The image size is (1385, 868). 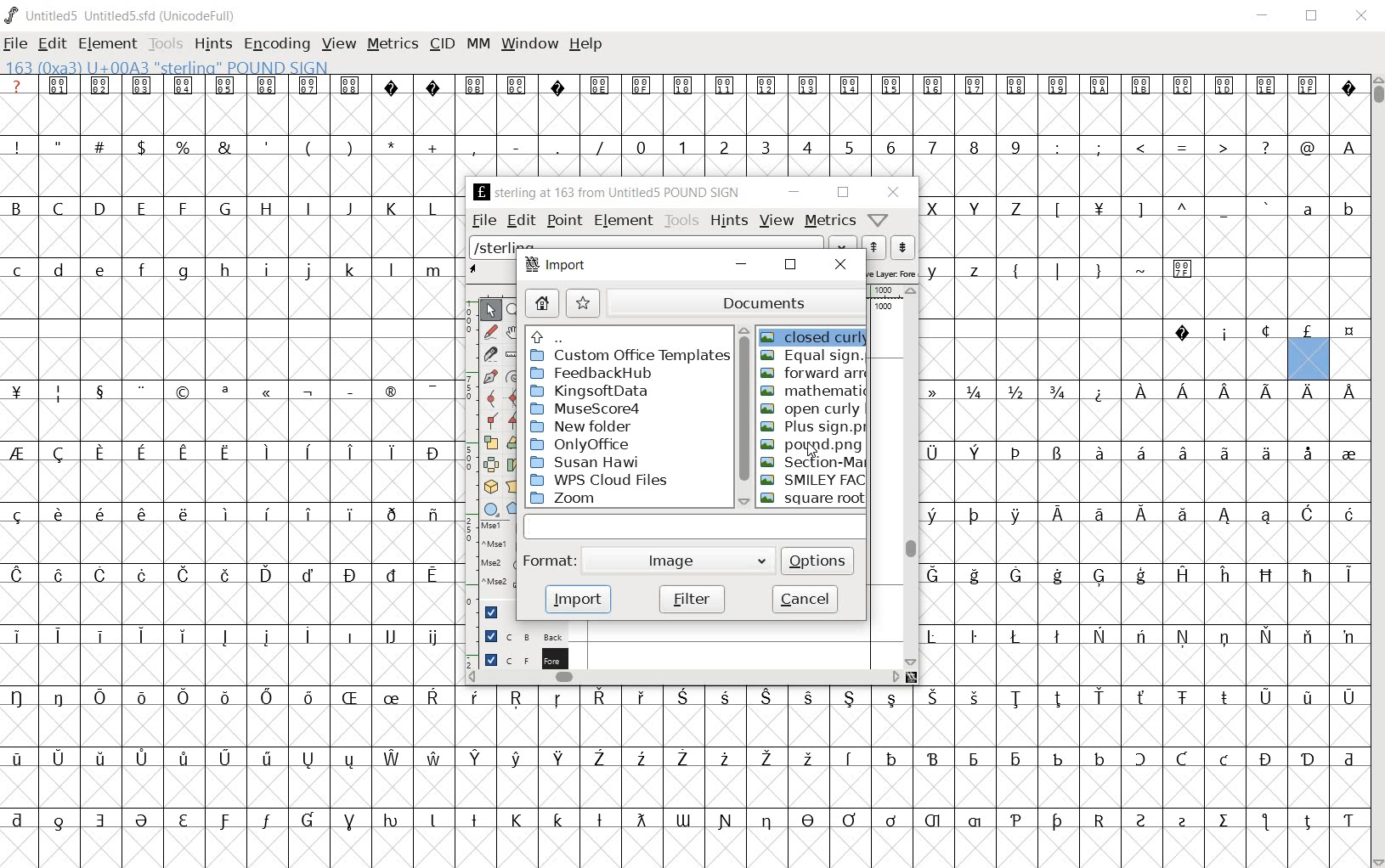 I want to click on Symbol, so click(x=476, y=85).